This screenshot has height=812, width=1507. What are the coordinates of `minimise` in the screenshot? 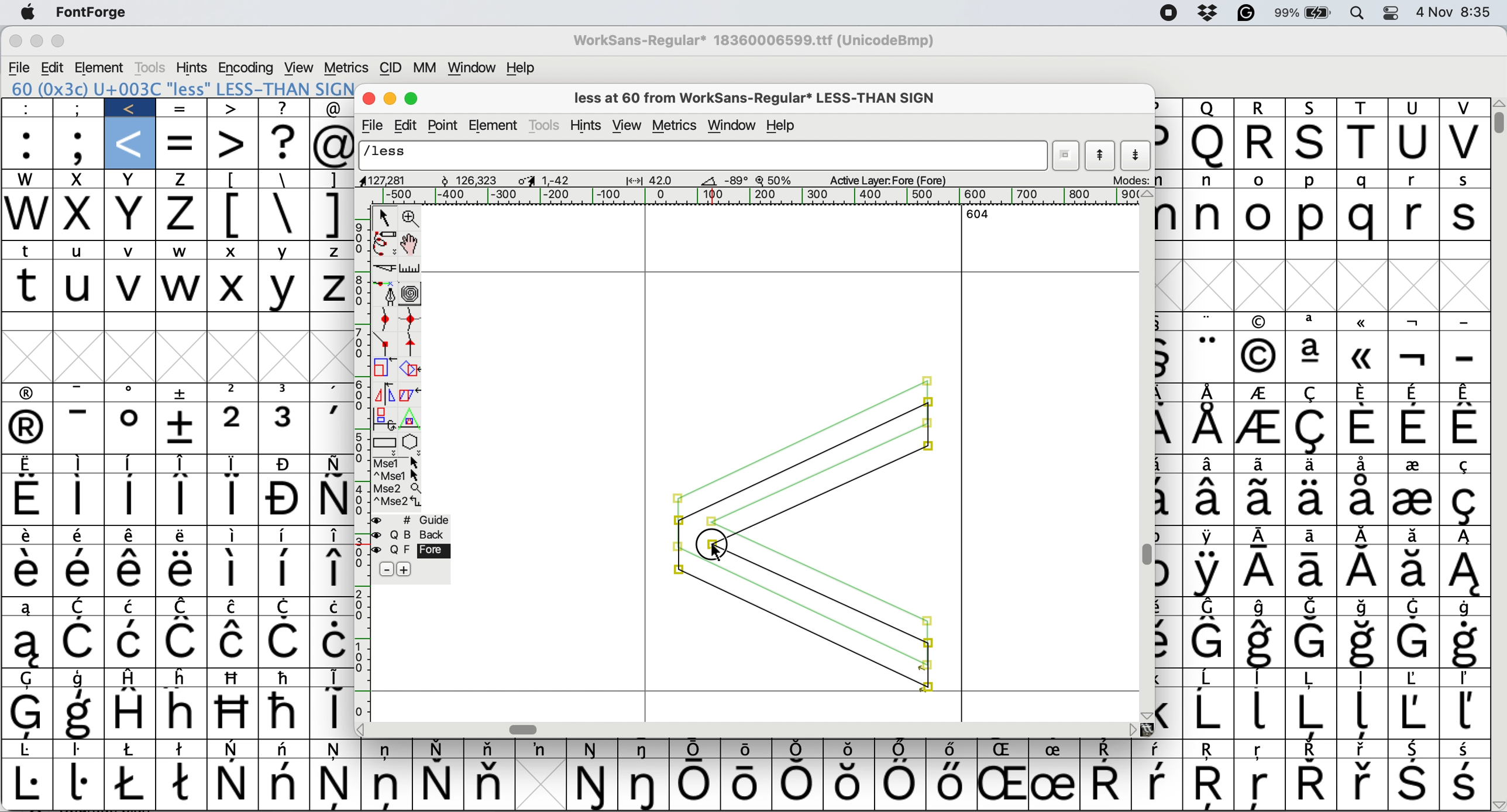 It's located at (391, 101).